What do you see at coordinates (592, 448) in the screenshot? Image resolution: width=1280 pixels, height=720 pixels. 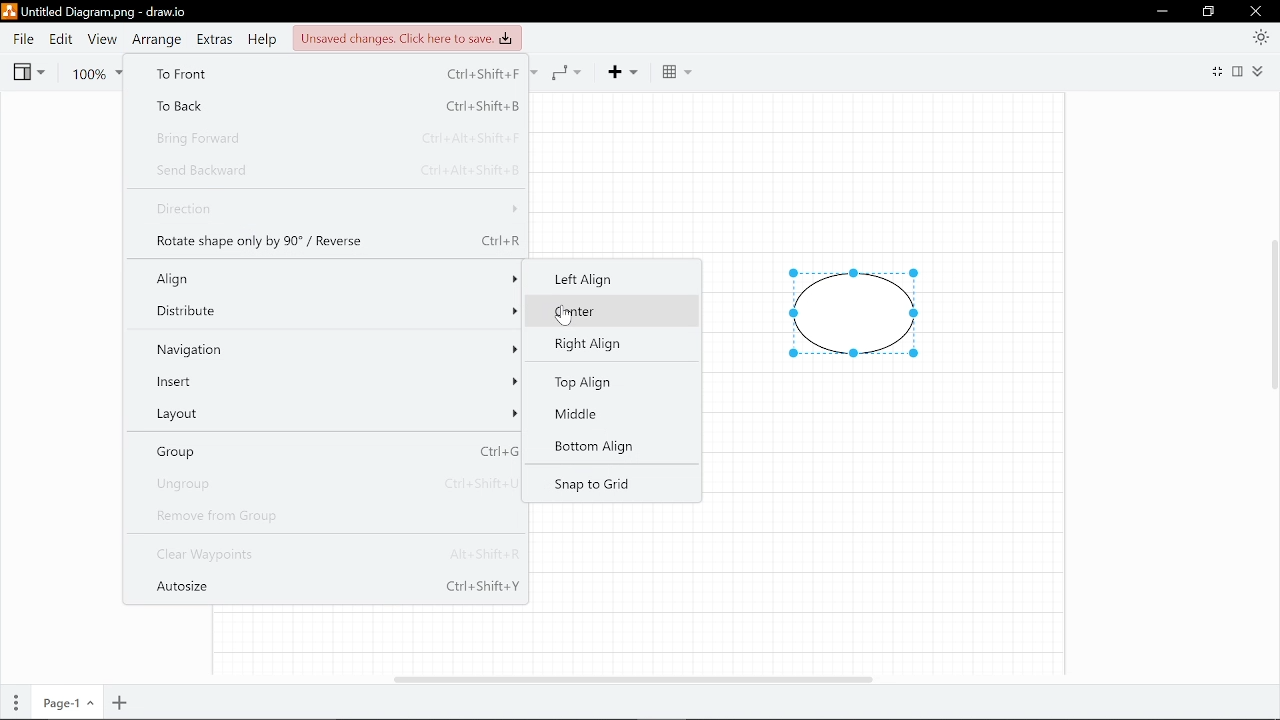 I see `Bottom align` at bounding box center [592, 448].